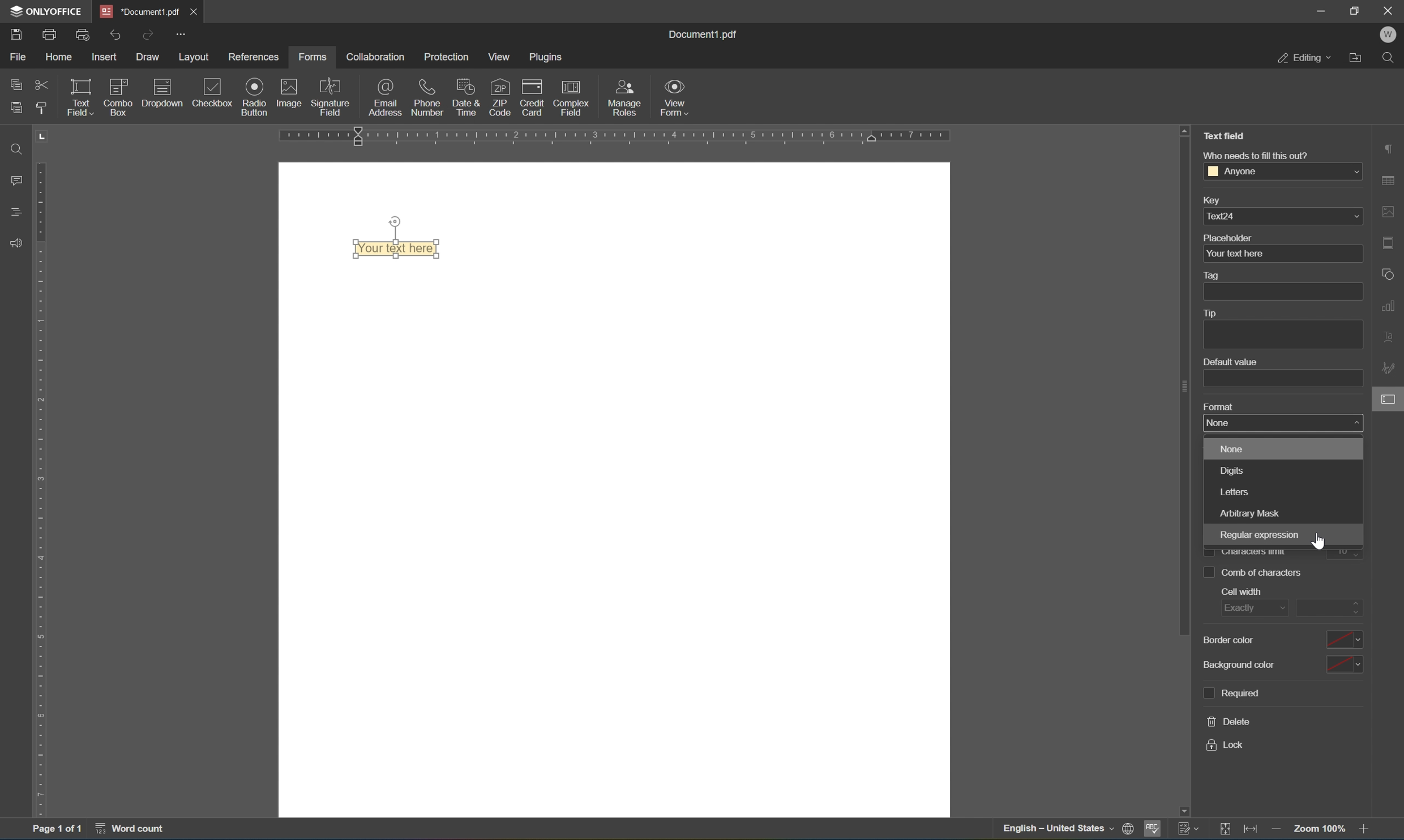  Describe the element at coordinates (162, 96) in the screenshot. I see `Drop-down ` at that location.